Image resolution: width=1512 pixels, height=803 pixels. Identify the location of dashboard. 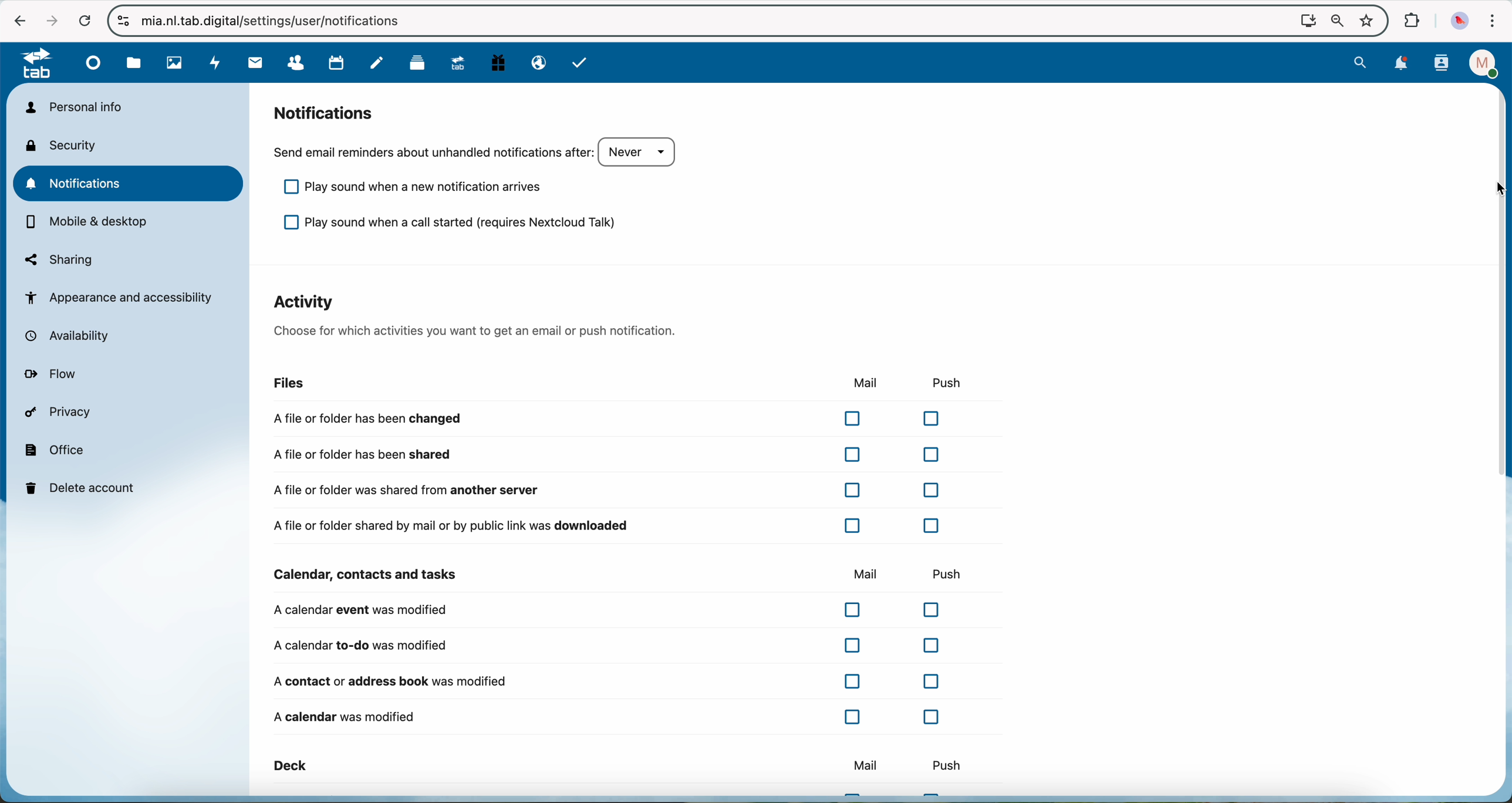
(95, 67).